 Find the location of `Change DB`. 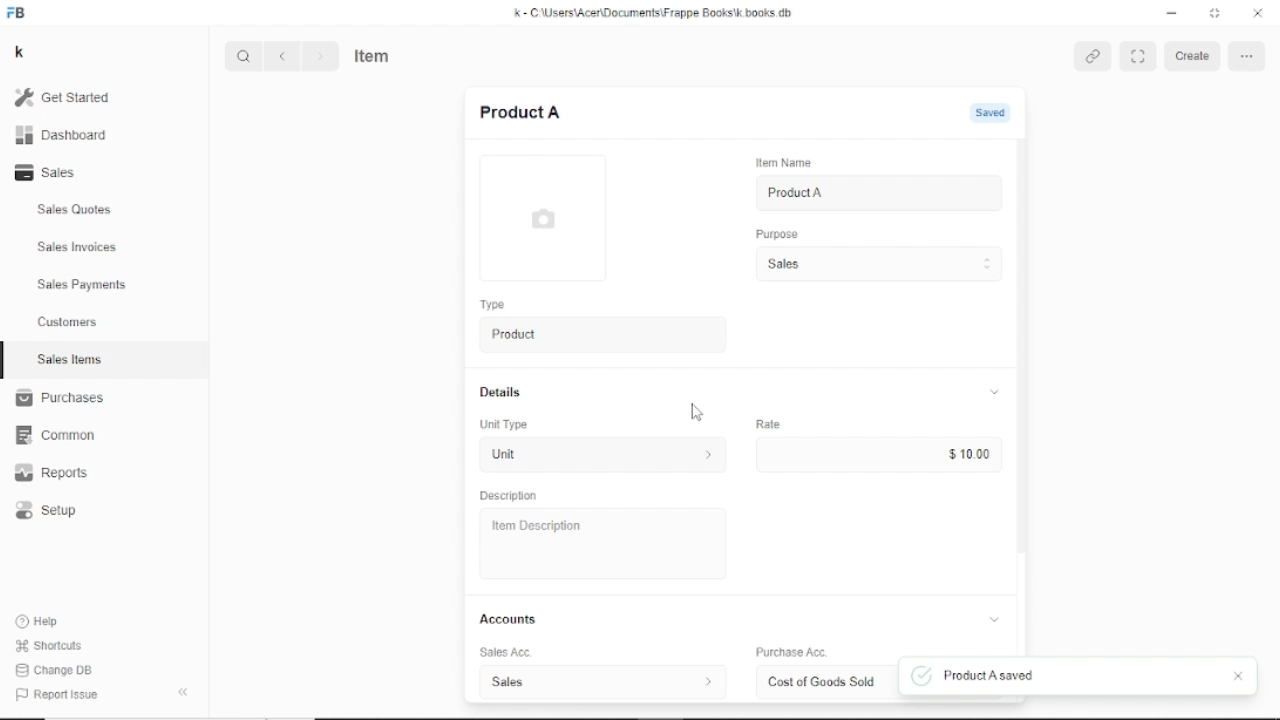

Change DB is located at coordinates (57, 671).